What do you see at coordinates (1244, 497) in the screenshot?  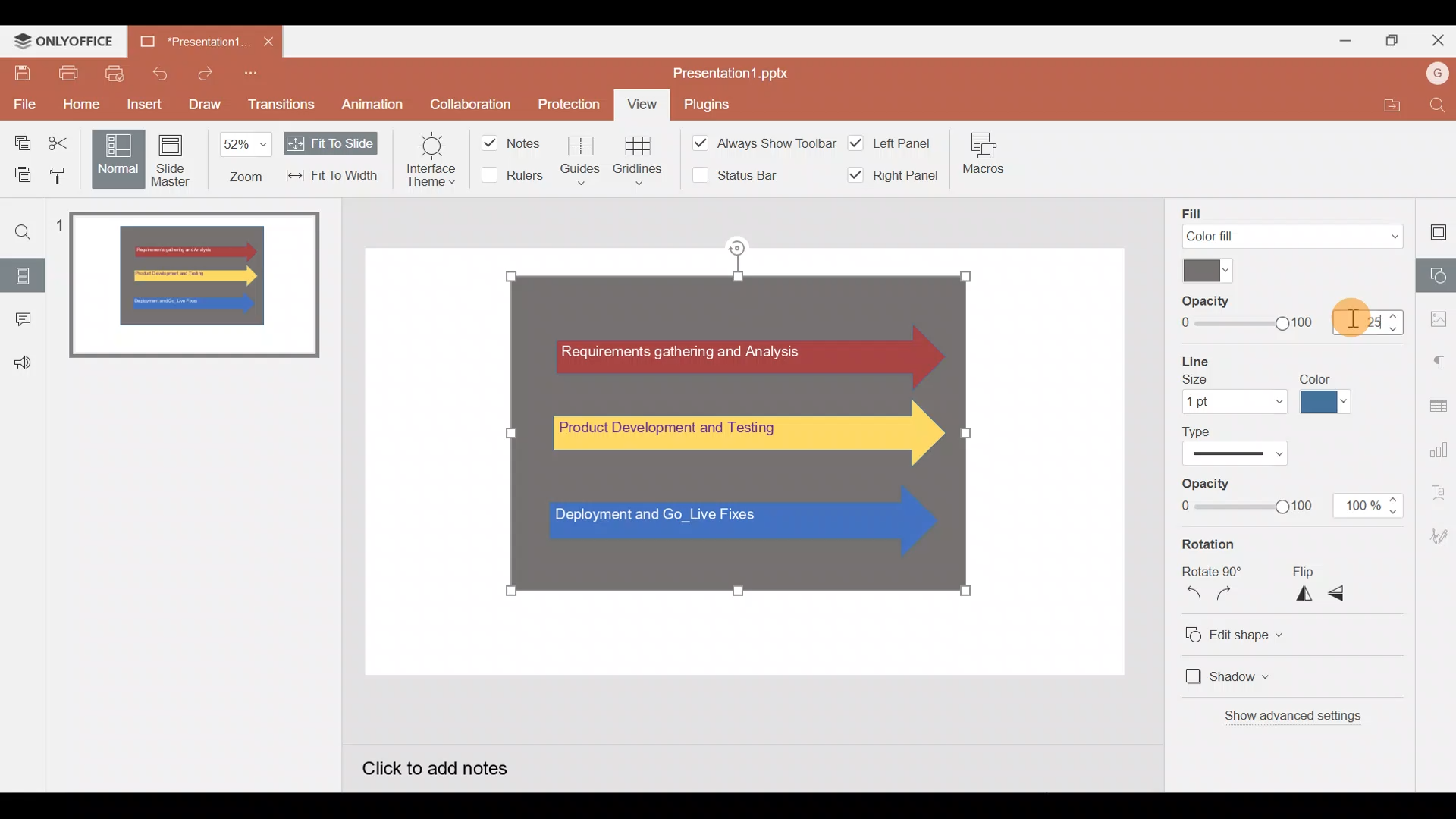 I see `Opacity level slider` at bounding box center [1244, 497].